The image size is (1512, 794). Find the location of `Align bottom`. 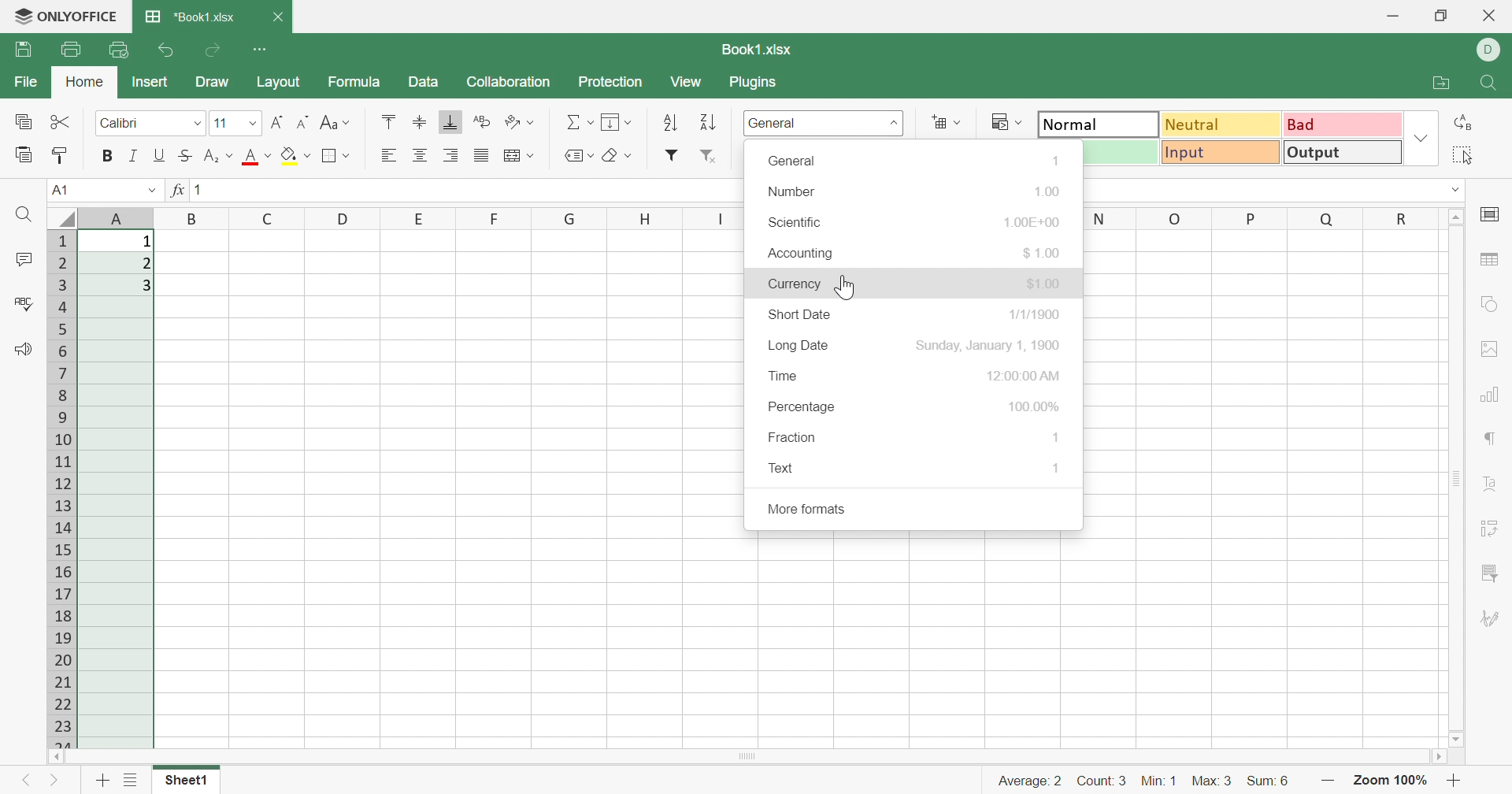

Align bottom is located at coordinates (448, 121).